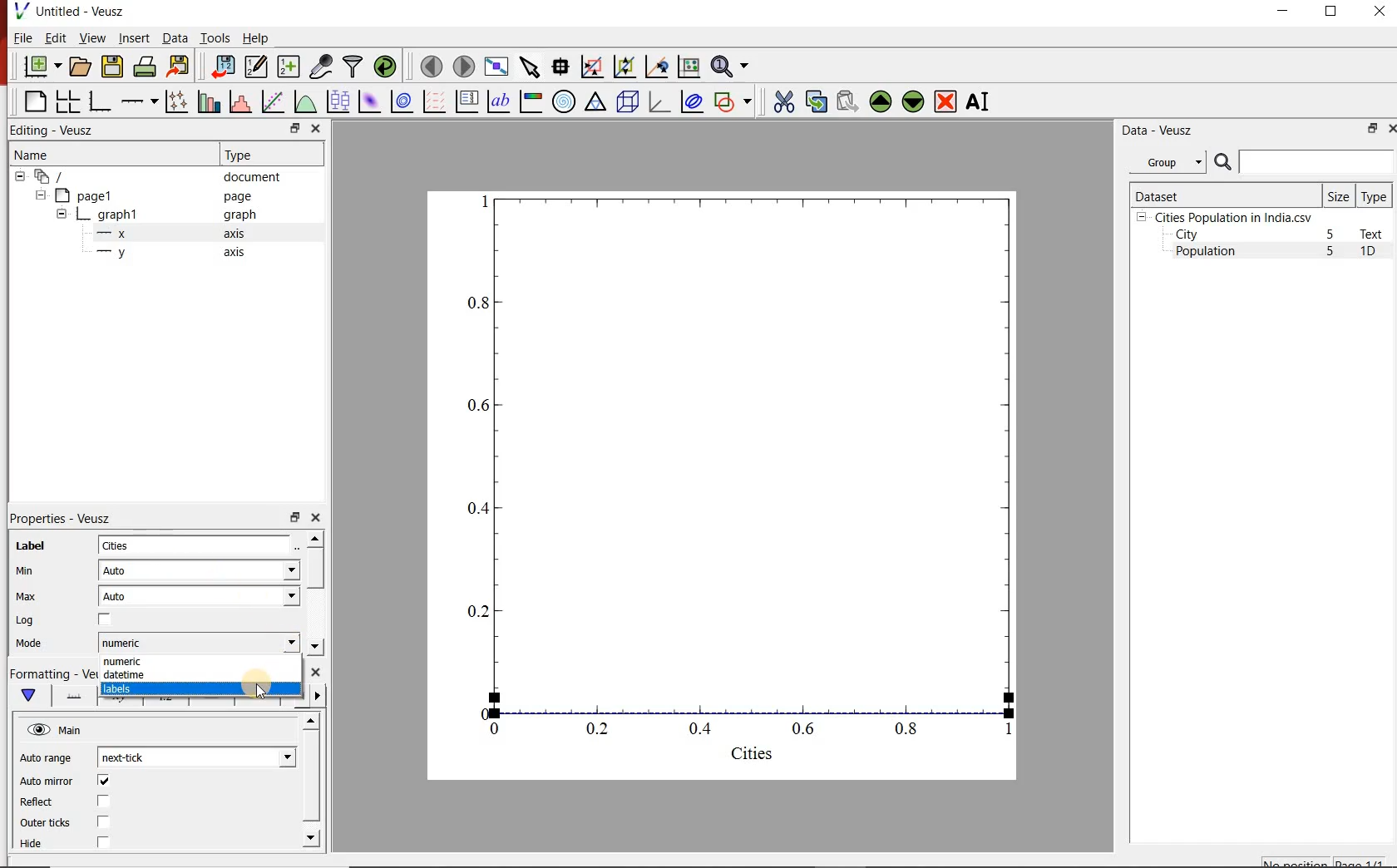 The width and height of the screenshot is (1397, 868). What do you see at coordinates (313, 672) in the screenshot?
I see `close` at bounding box center [313, 672].